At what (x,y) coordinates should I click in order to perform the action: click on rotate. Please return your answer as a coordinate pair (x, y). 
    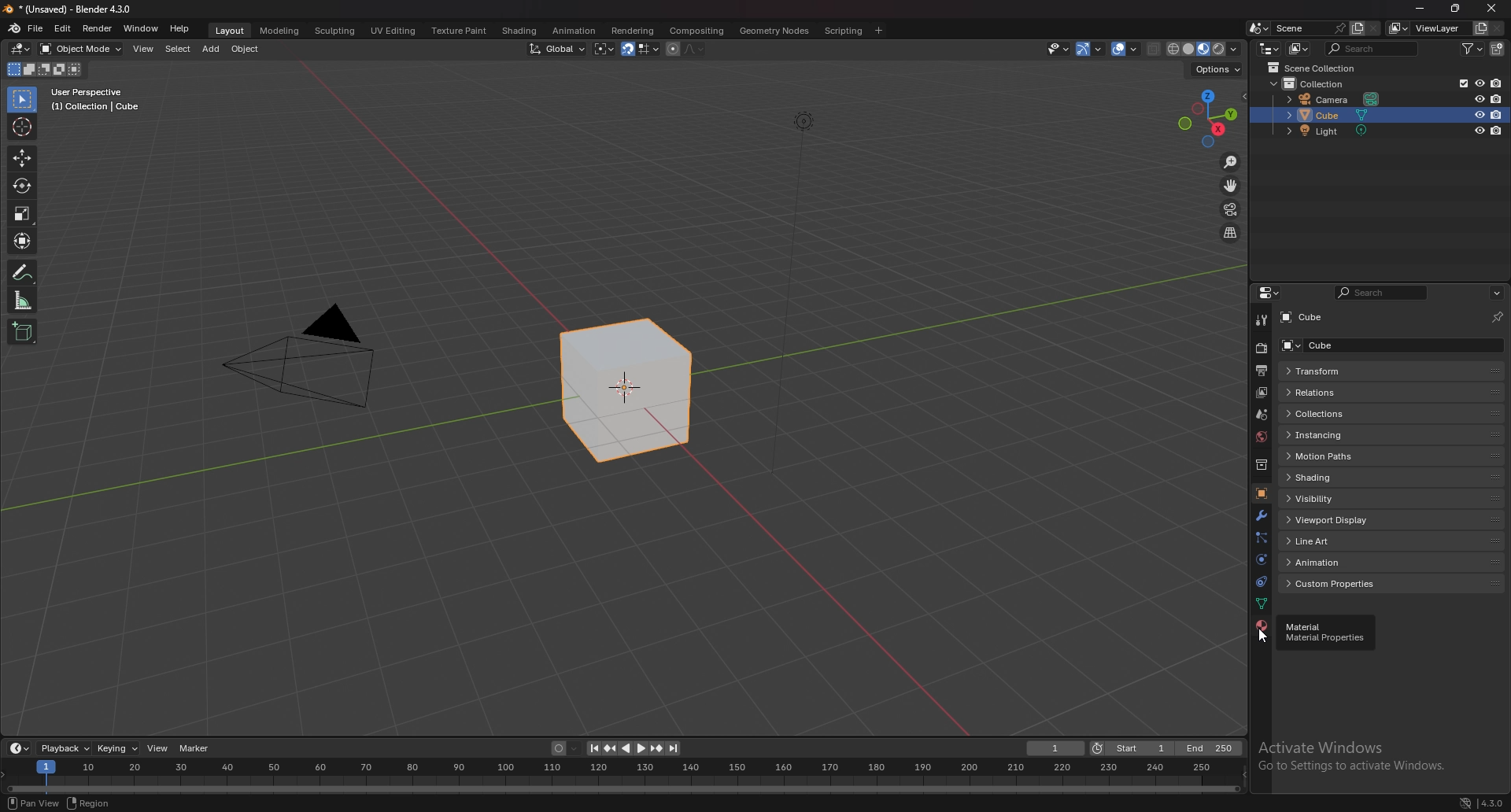
    Looking at the image, I should click on (22, 186).